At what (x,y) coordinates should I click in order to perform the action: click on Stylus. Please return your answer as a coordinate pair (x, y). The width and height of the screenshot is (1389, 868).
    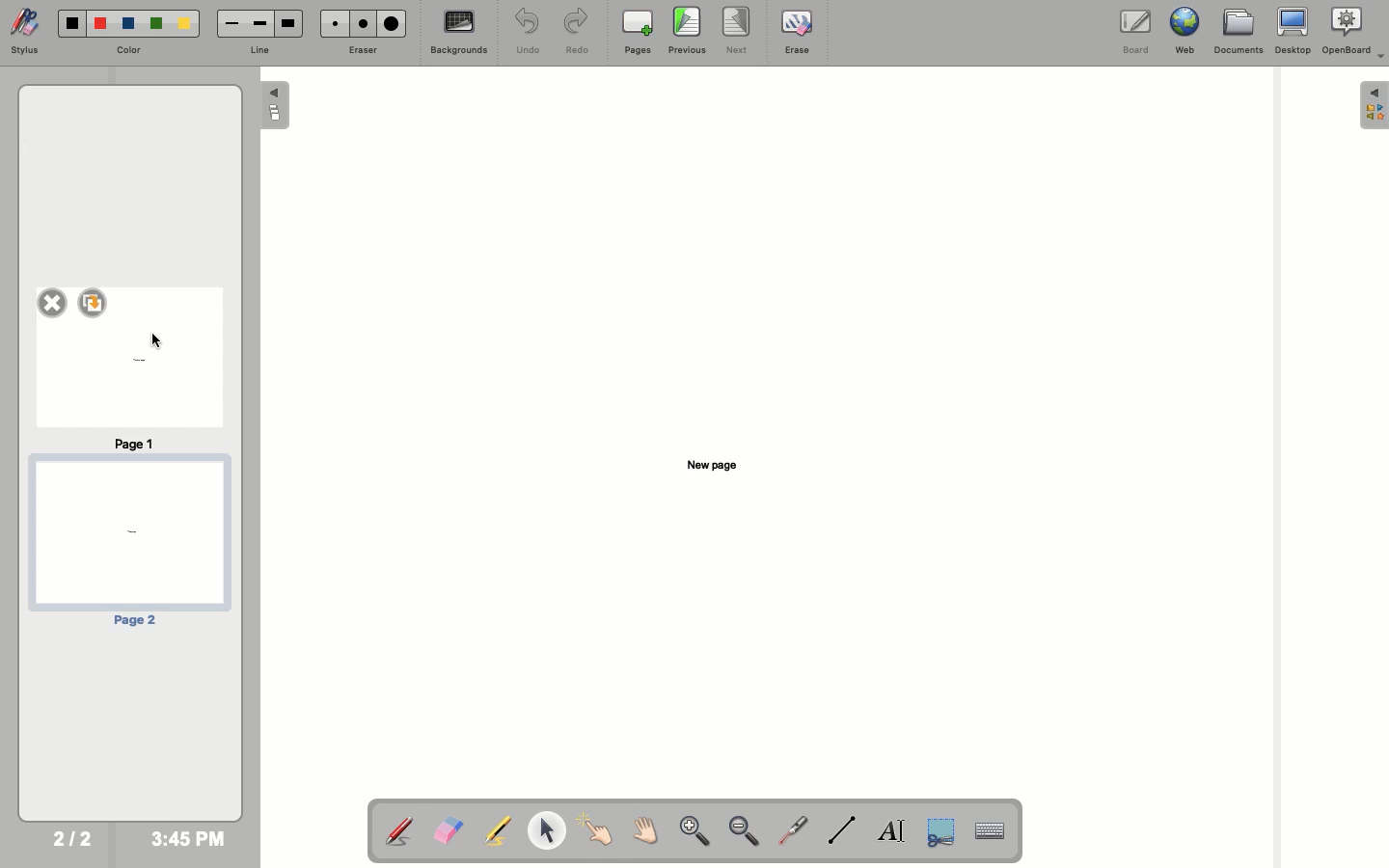
    Looking at the image, I should click on (25, 31).